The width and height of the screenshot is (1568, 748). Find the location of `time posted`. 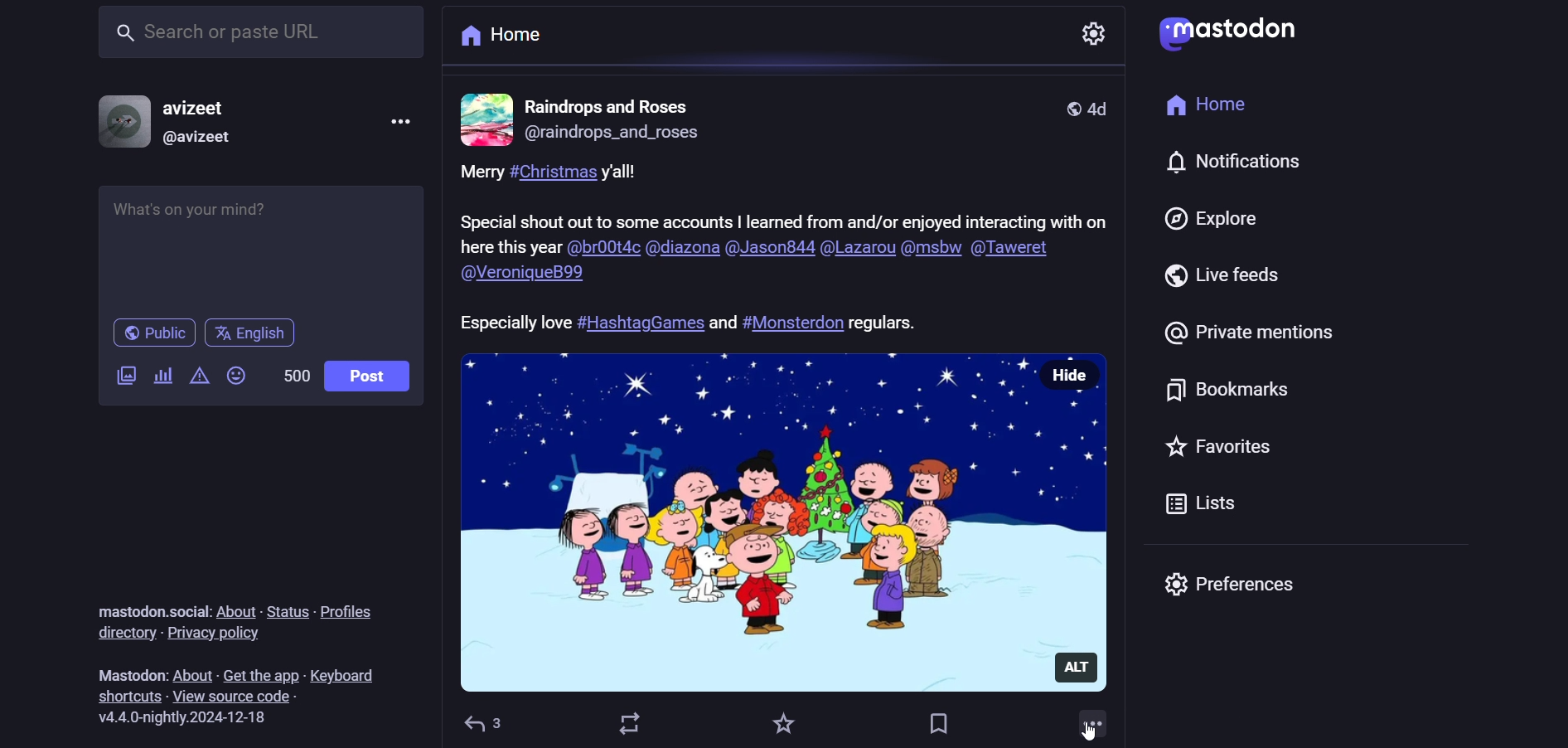

time posted is located at coordinates (1105, 108).